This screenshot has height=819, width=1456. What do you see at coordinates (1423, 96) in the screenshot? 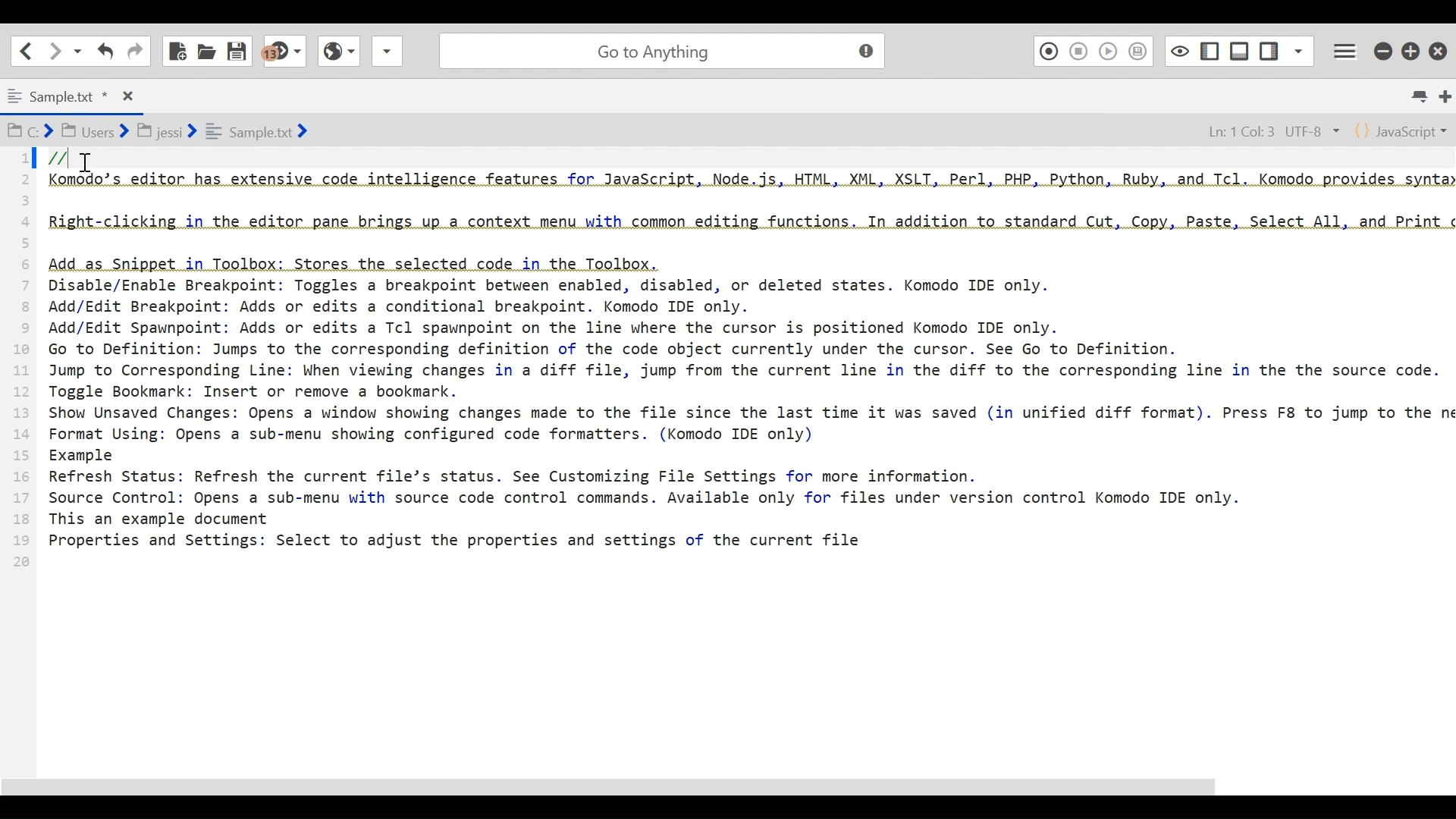
I see `List all tabs` at bounding box center [1423, 96].